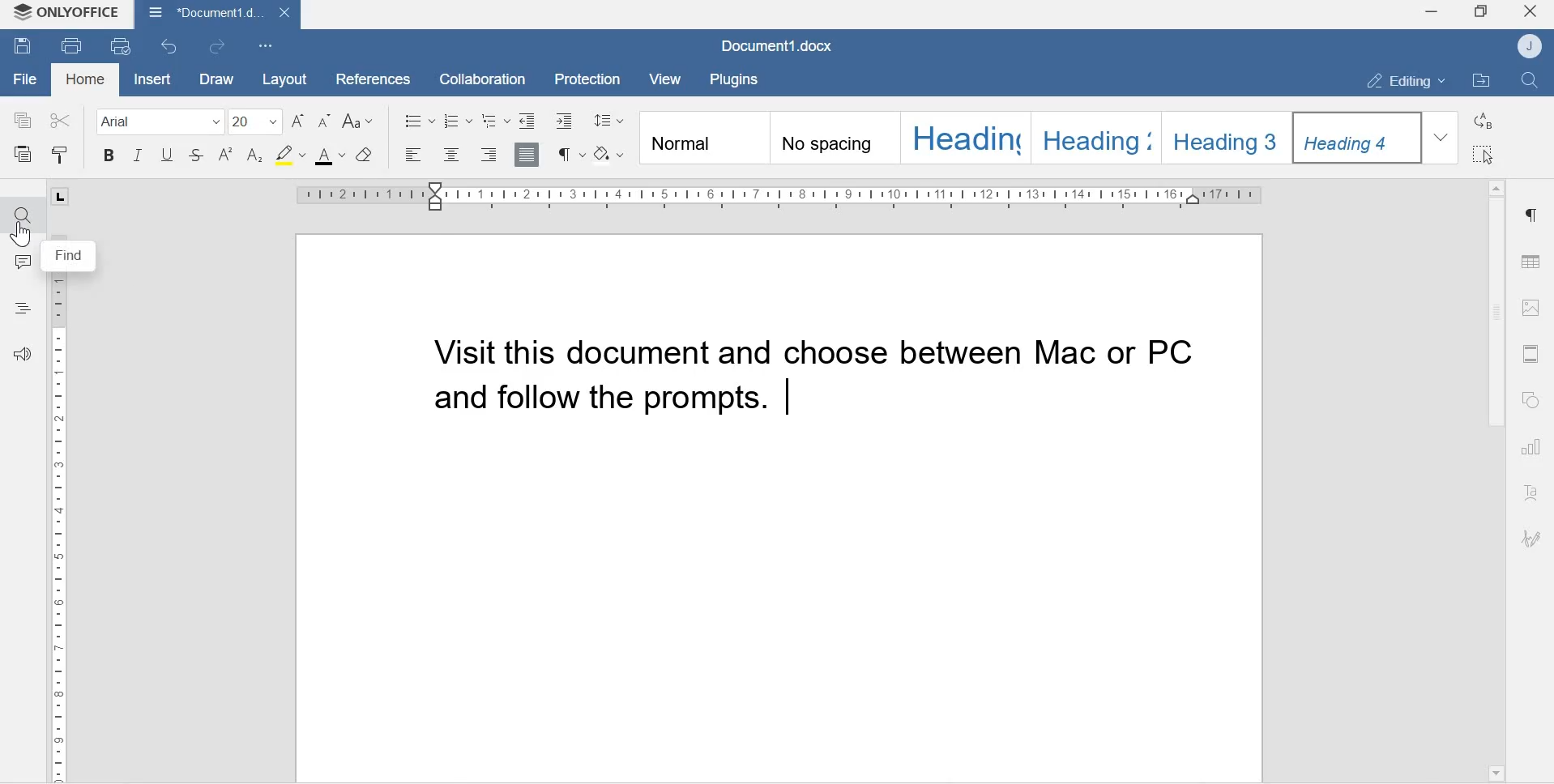 This screenshot has height=784, width=1554. Describe the element at coordinates (122, 47) in the screenshot. I see `Quick print` at that location.